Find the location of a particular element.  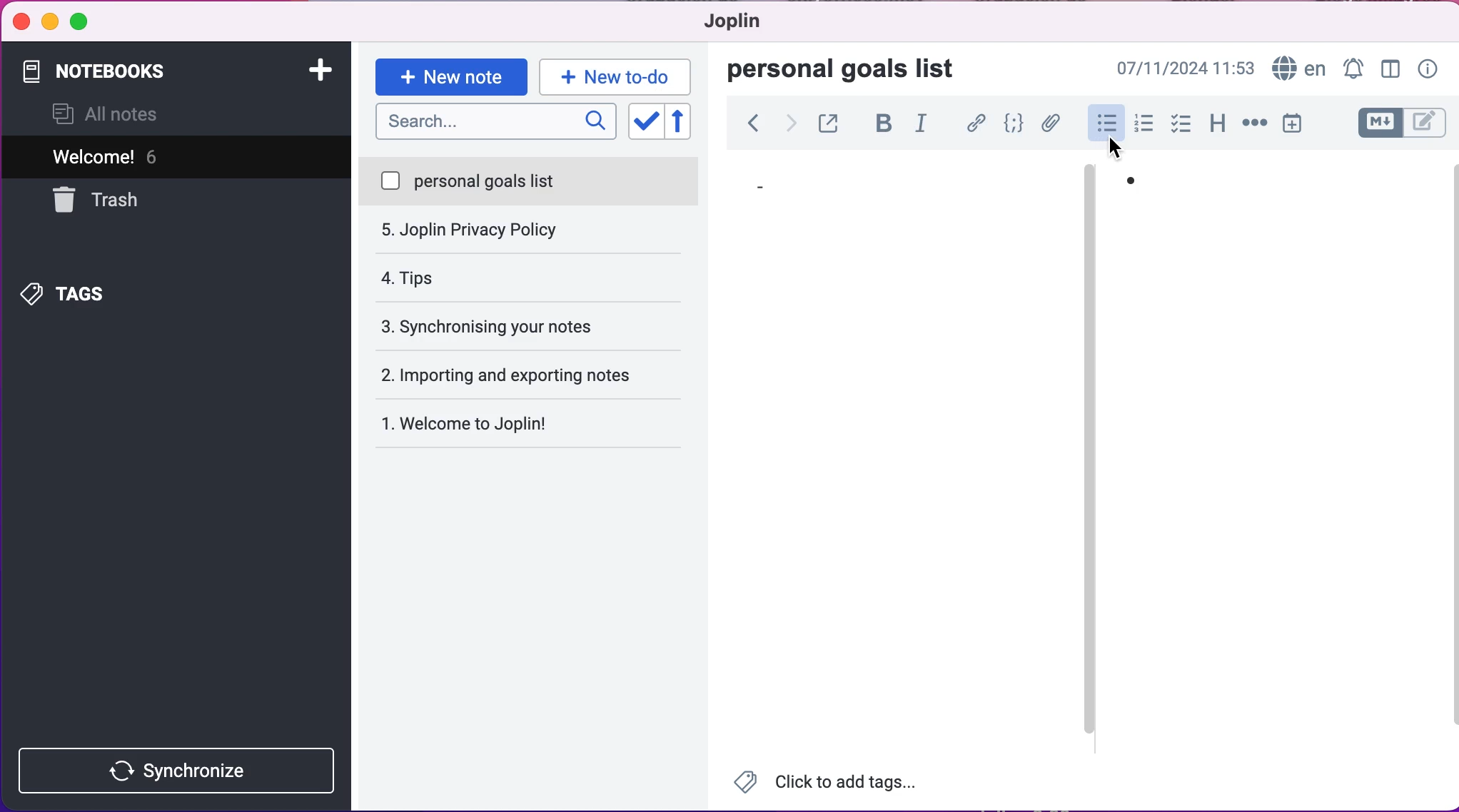

set alarm is located at coordinates (1351, 66).